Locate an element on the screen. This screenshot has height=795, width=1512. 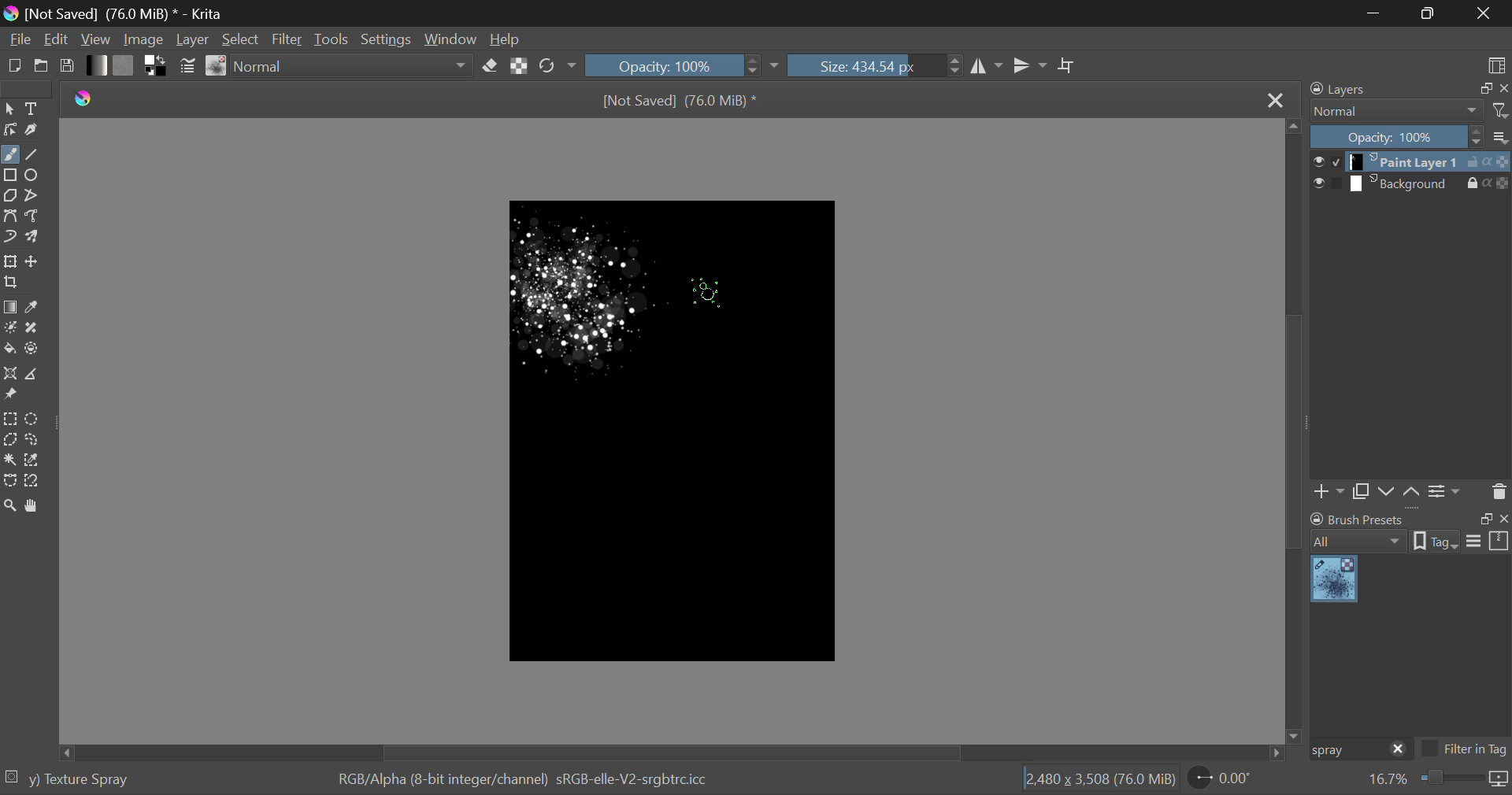
Zoom is located at coordinates (11, 508).